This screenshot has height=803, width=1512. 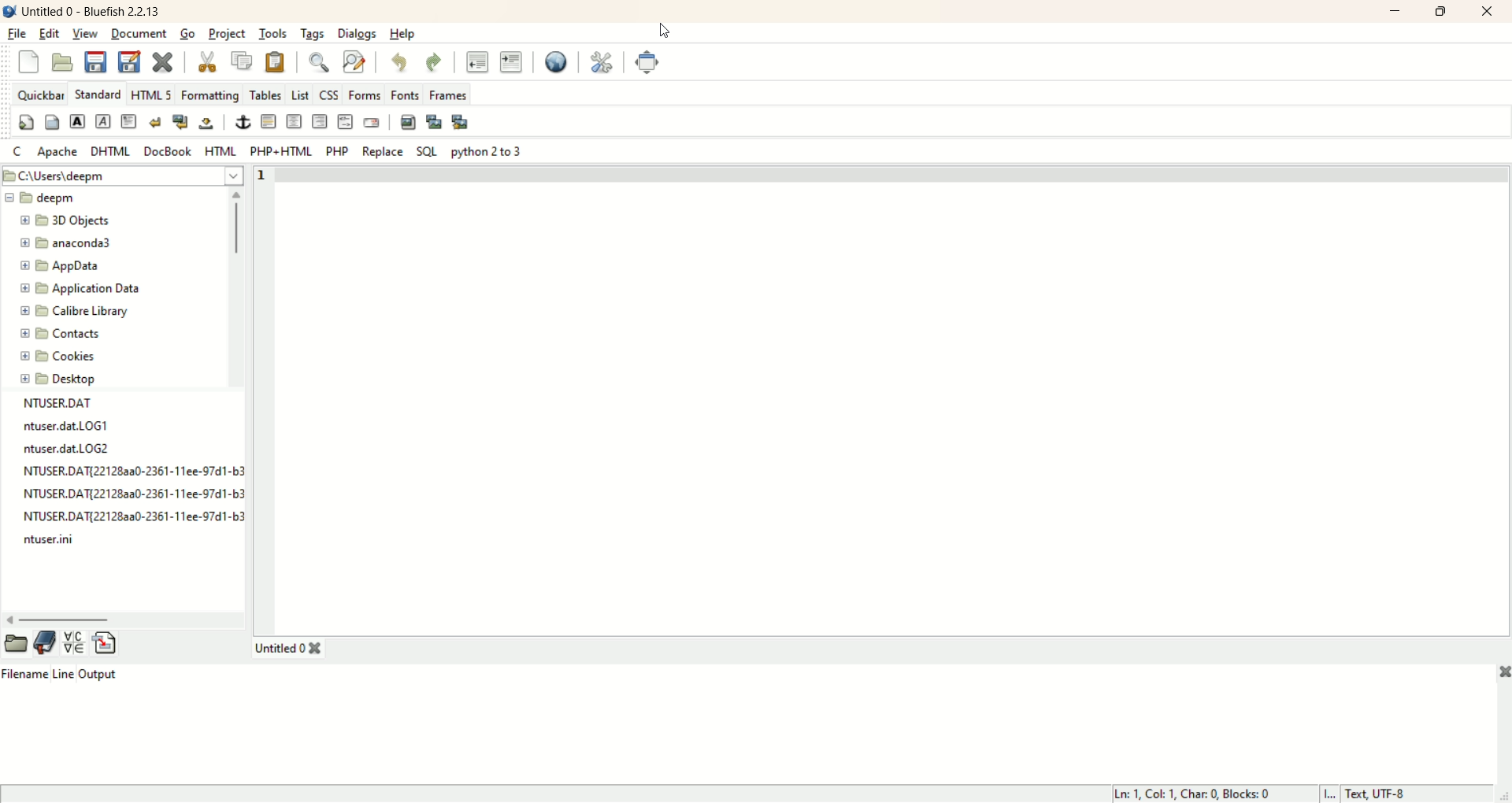 What do you see at coordinates (291, 650) in the screenshot?
I see `untitled` at bounding box center [291, 650].